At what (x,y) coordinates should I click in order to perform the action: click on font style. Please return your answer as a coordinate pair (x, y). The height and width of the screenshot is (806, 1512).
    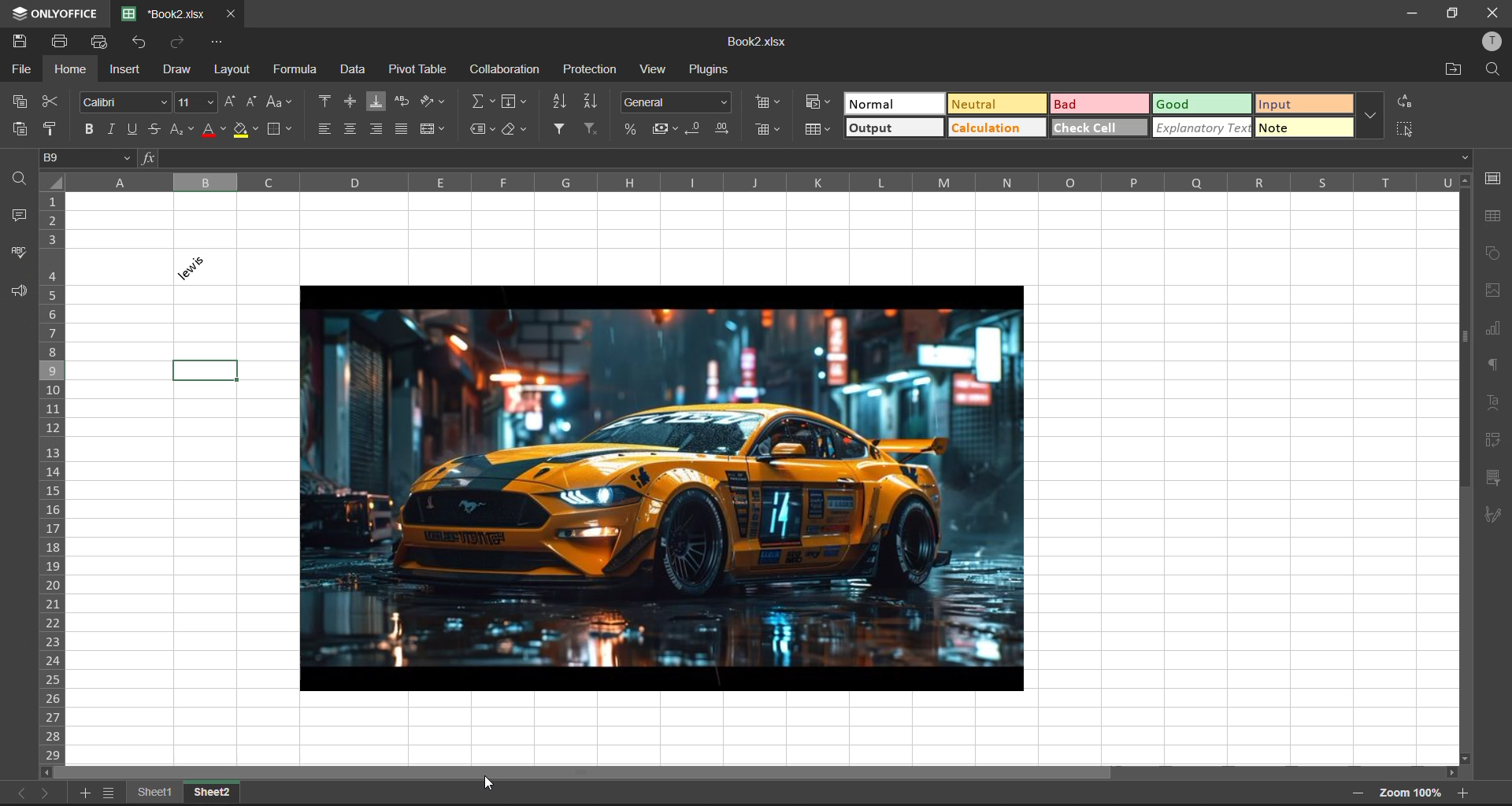
    Looking at the image, I should click on (127, 102).